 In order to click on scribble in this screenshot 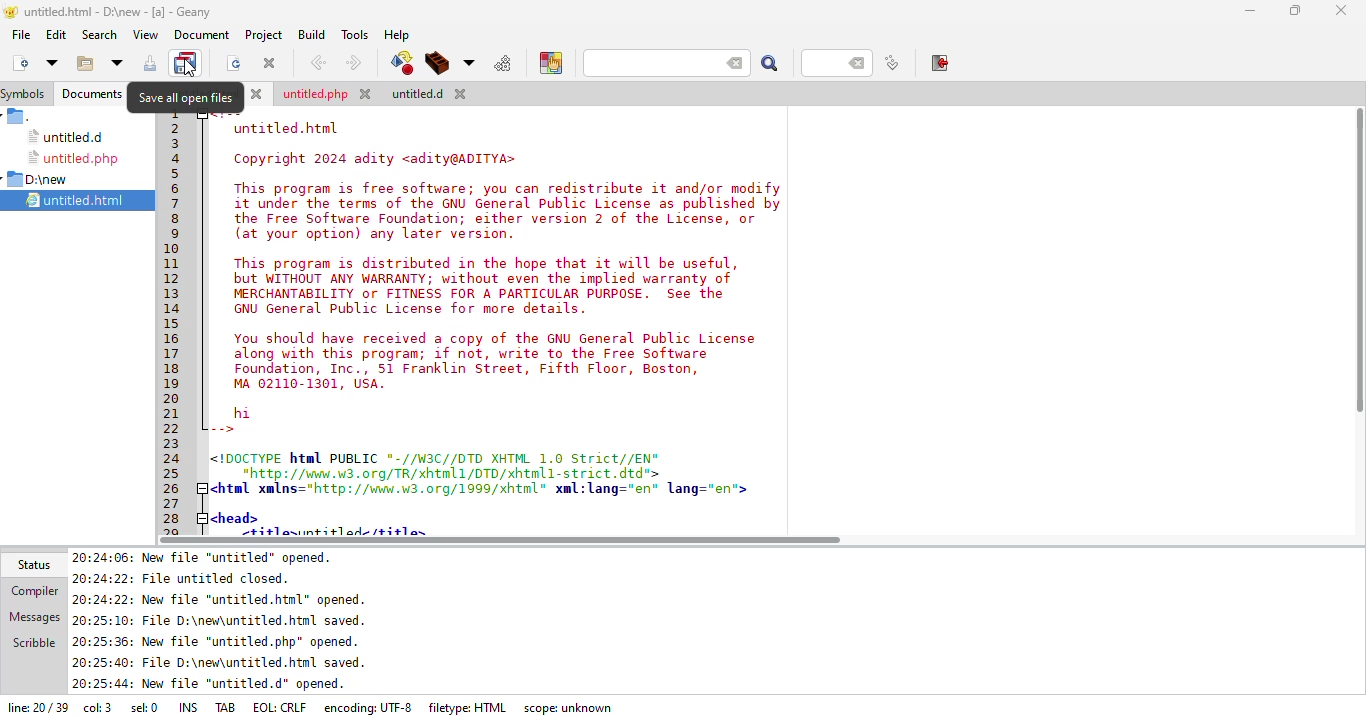, I will do `click(35, 643)`.